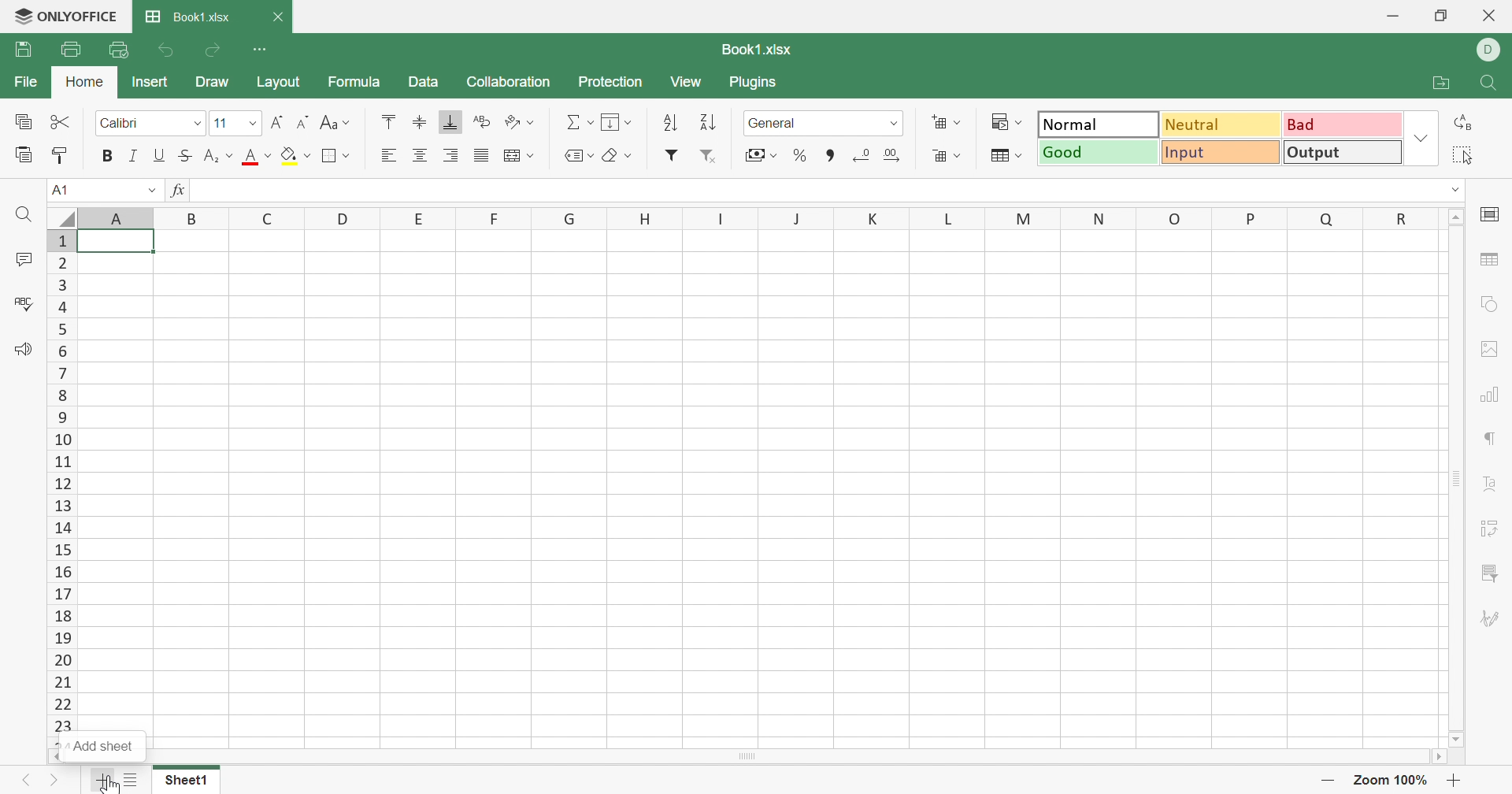 This screenshot has height=794, width=1512. I want to click on Zoom 100%, so click(1390, 779).